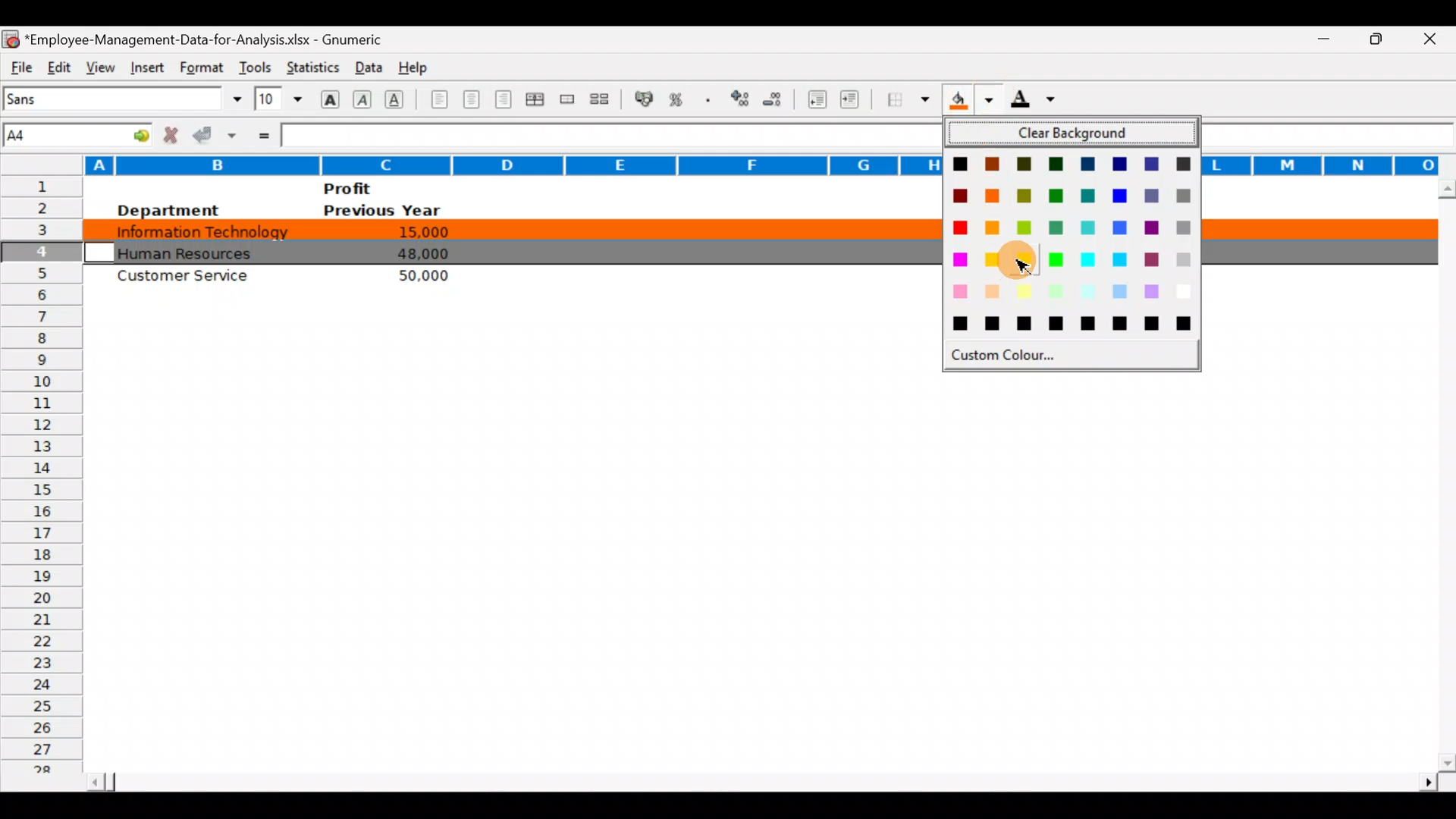  I want to click on Format, so click(199, 67).